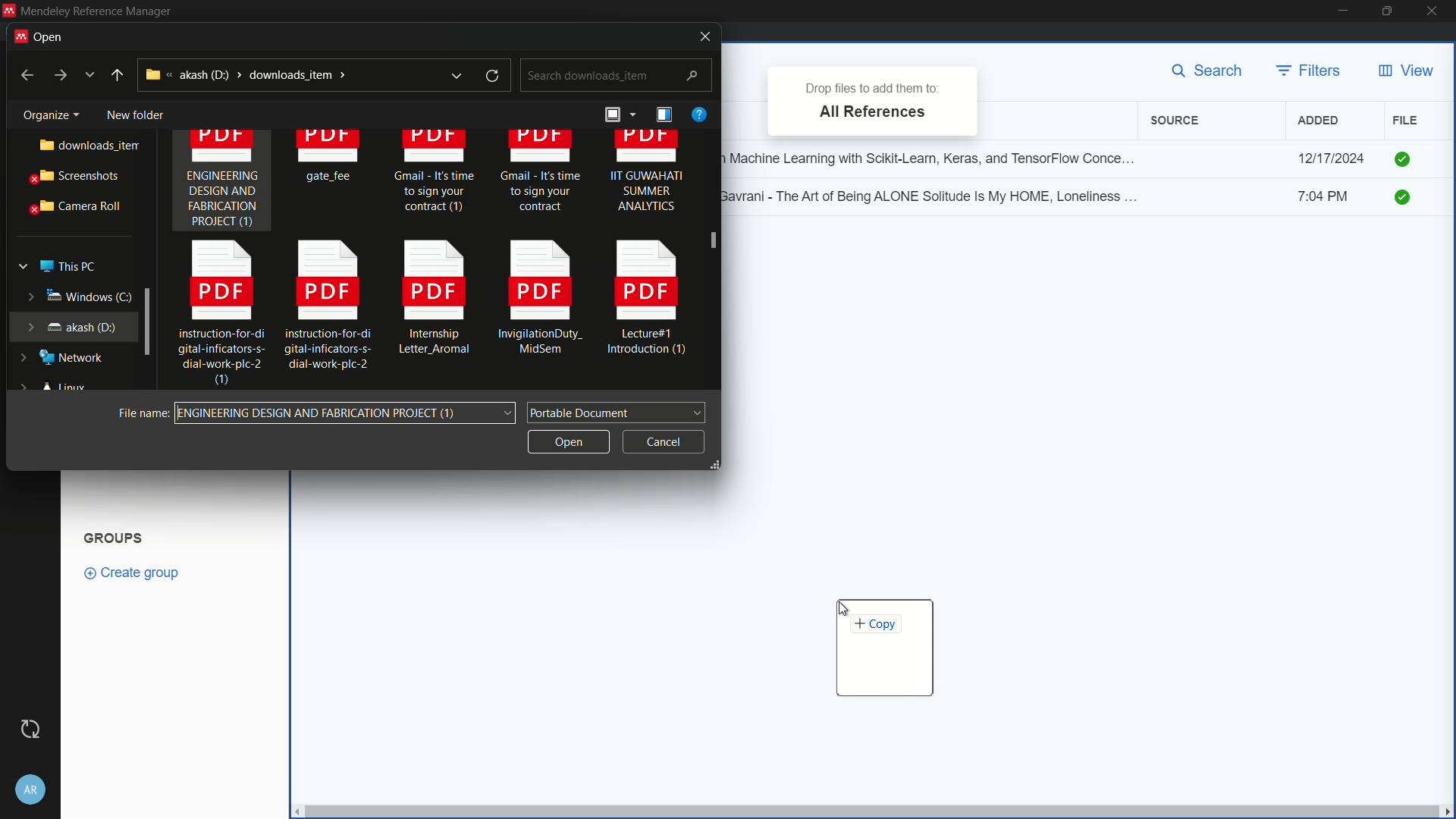  Describe the element at coordinates (59, 76) in the screenshot. I see `go to` at that location.